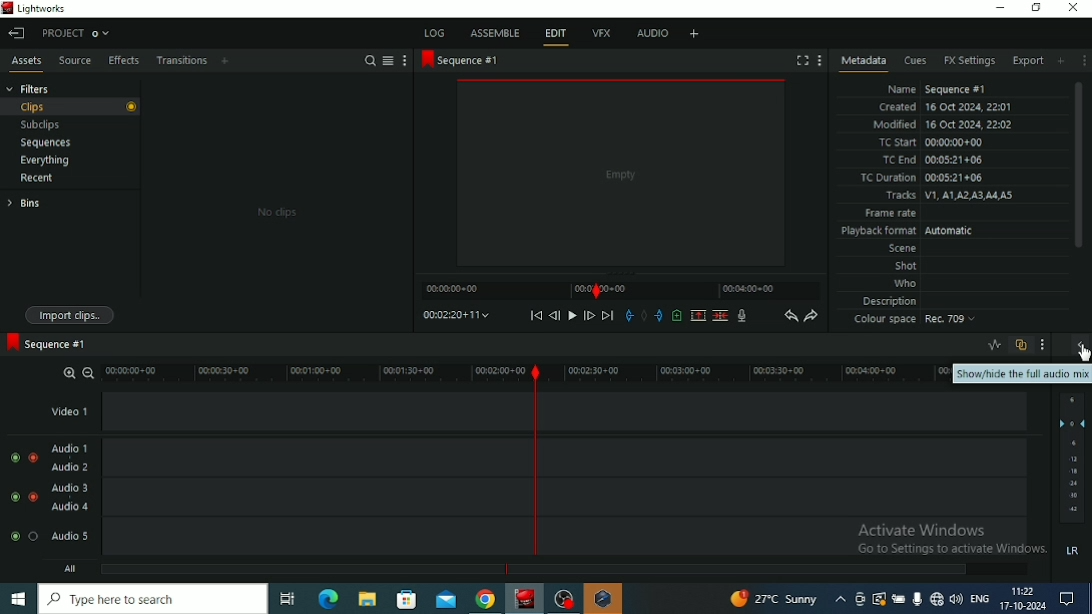  I want to click on Meet Now, so click(860, 599).